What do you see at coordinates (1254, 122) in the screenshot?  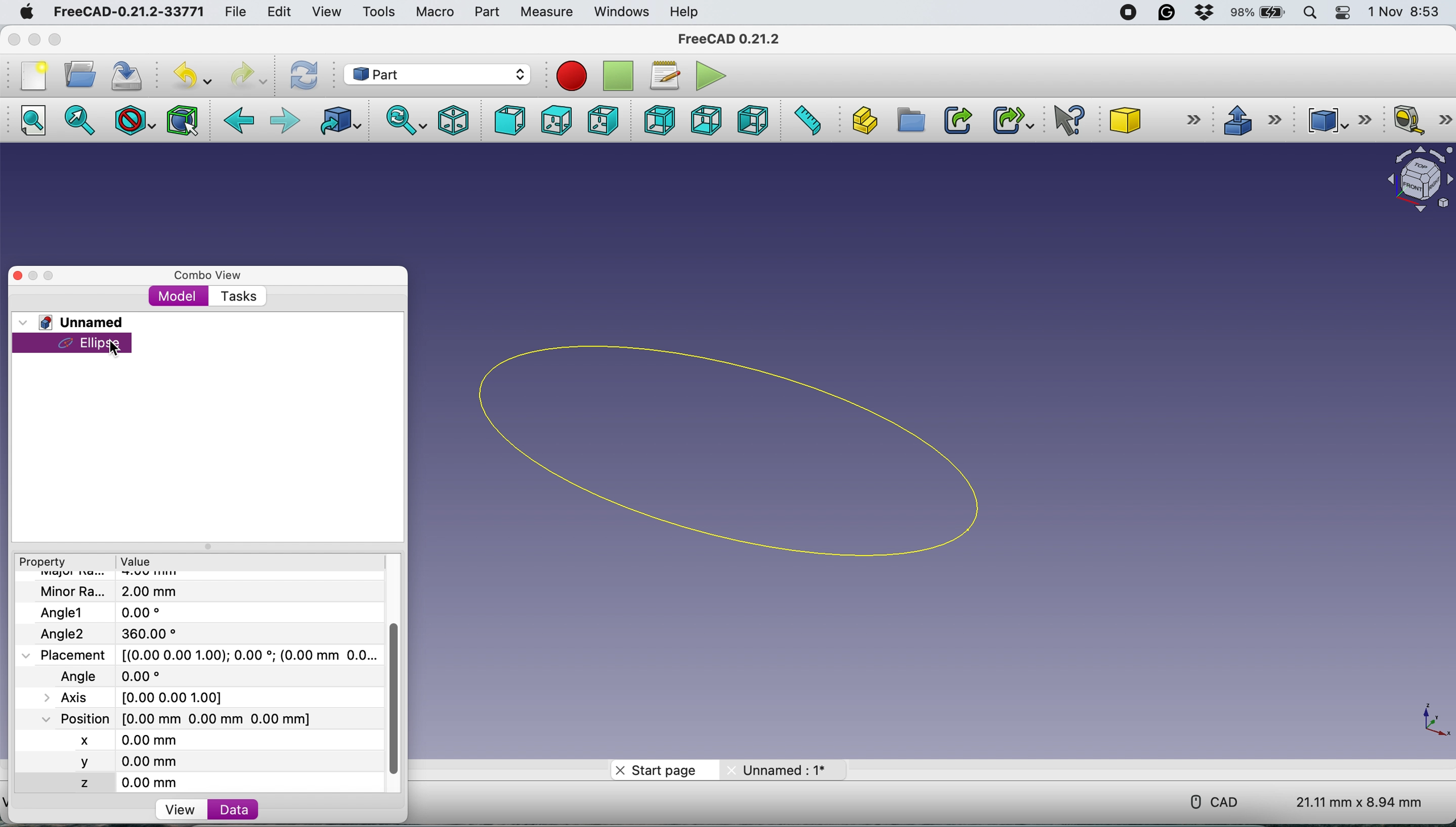 I see `extrude` at bounding box center [1254, 122].